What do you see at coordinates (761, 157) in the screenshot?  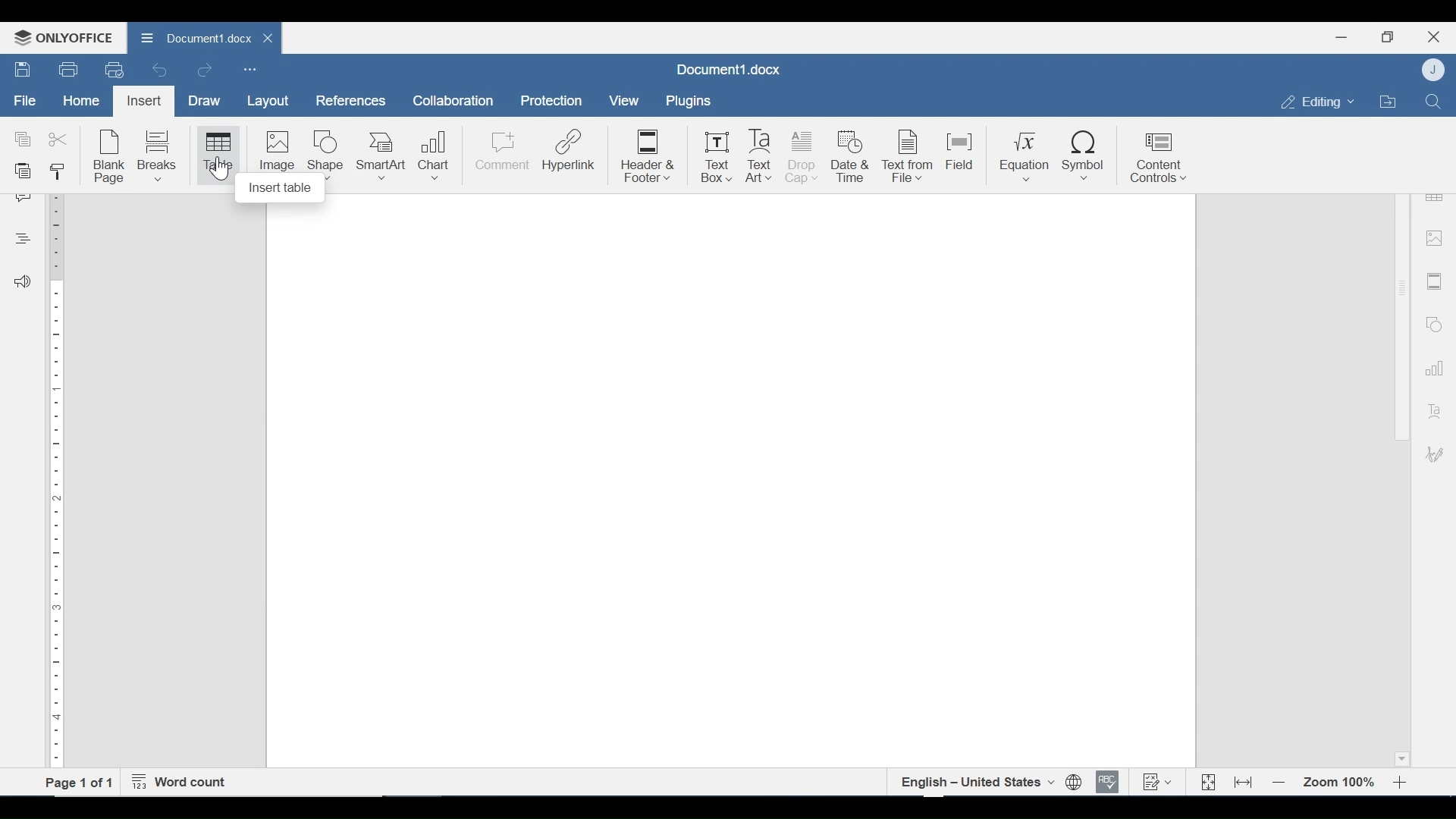 I see `Text Art` at bounding box center [761, 157].